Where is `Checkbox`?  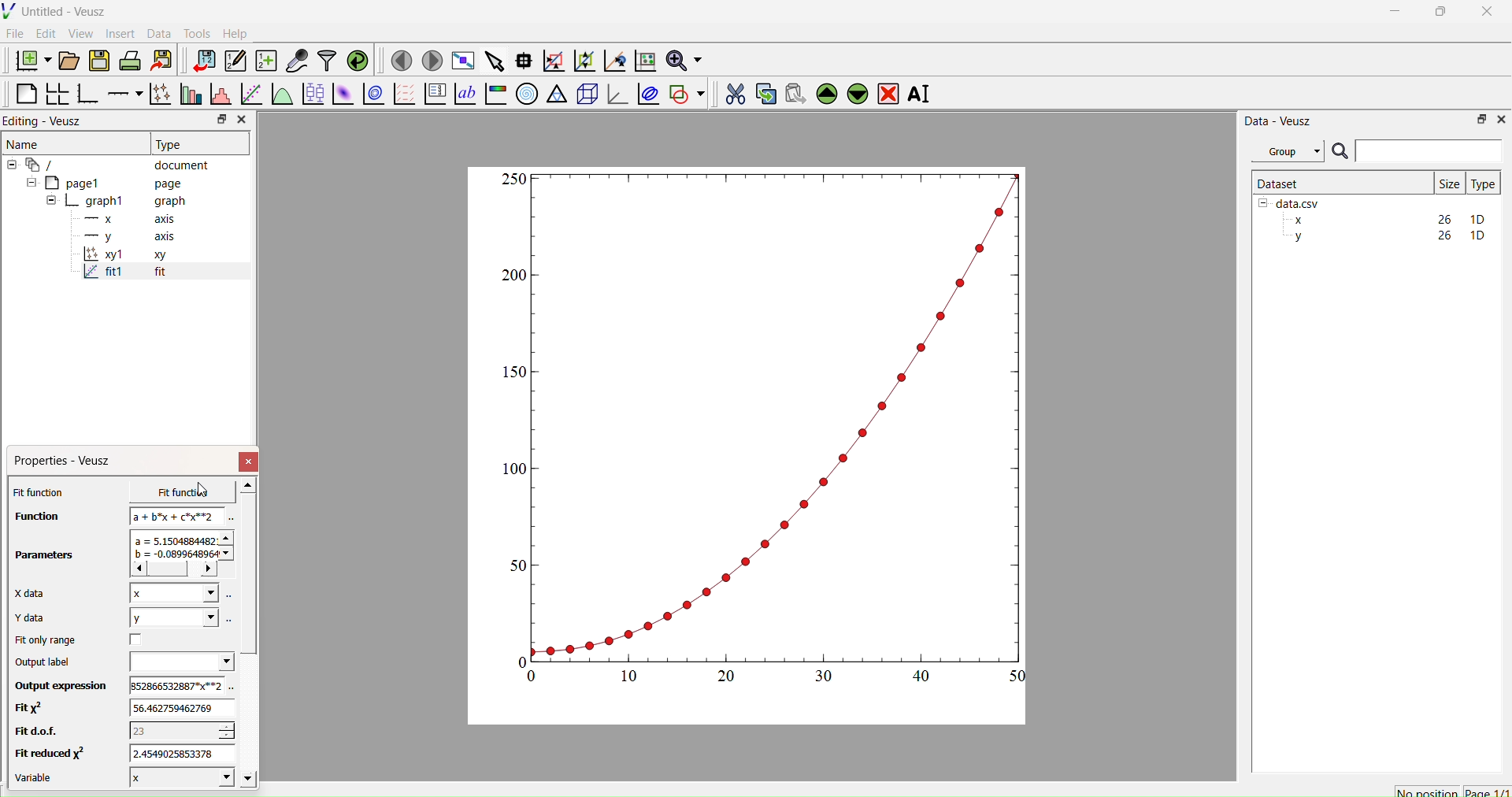 Checkbox is located at coordinates (128, 639).